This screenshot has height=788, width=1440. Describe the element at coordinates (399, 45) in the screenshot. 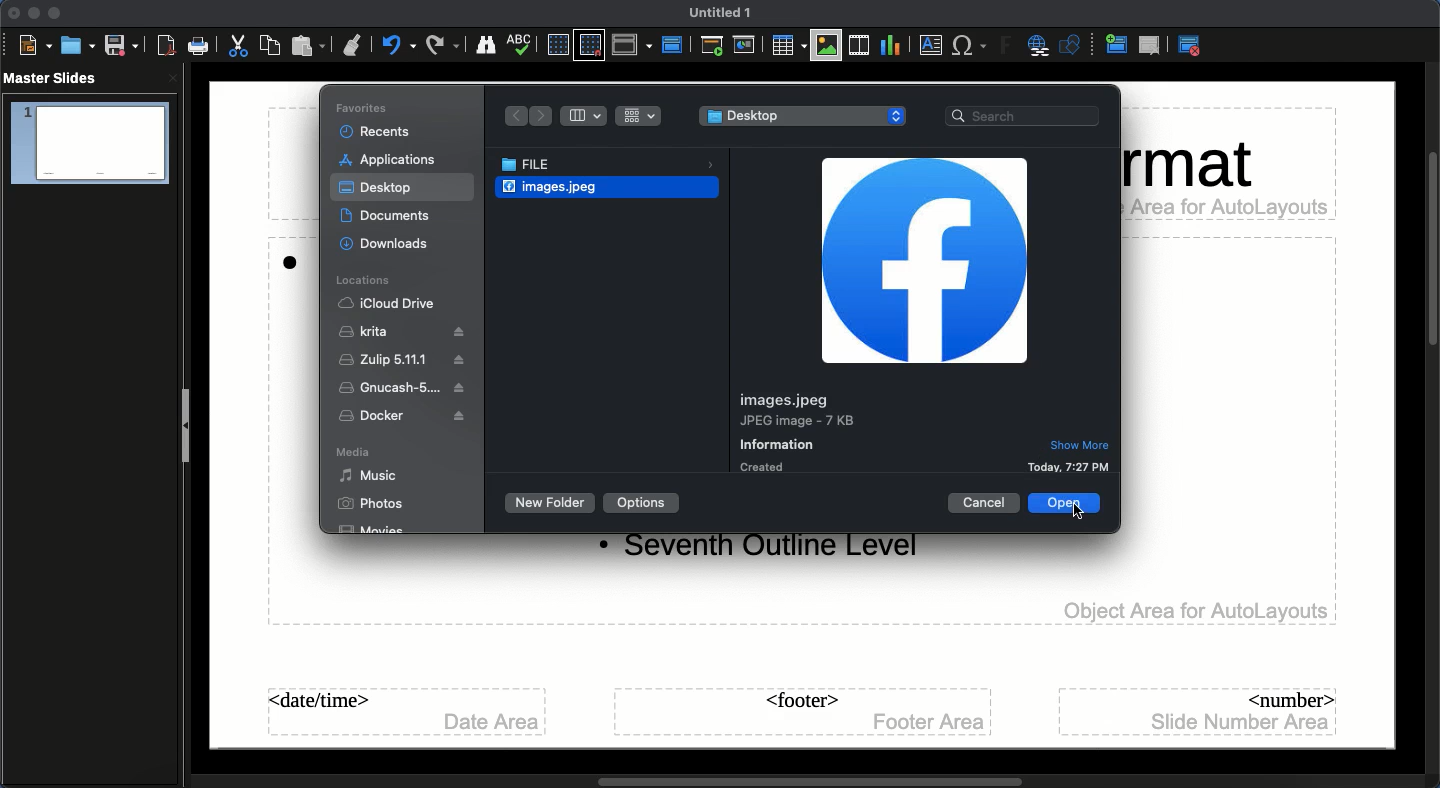

I see `Undo` at that location.